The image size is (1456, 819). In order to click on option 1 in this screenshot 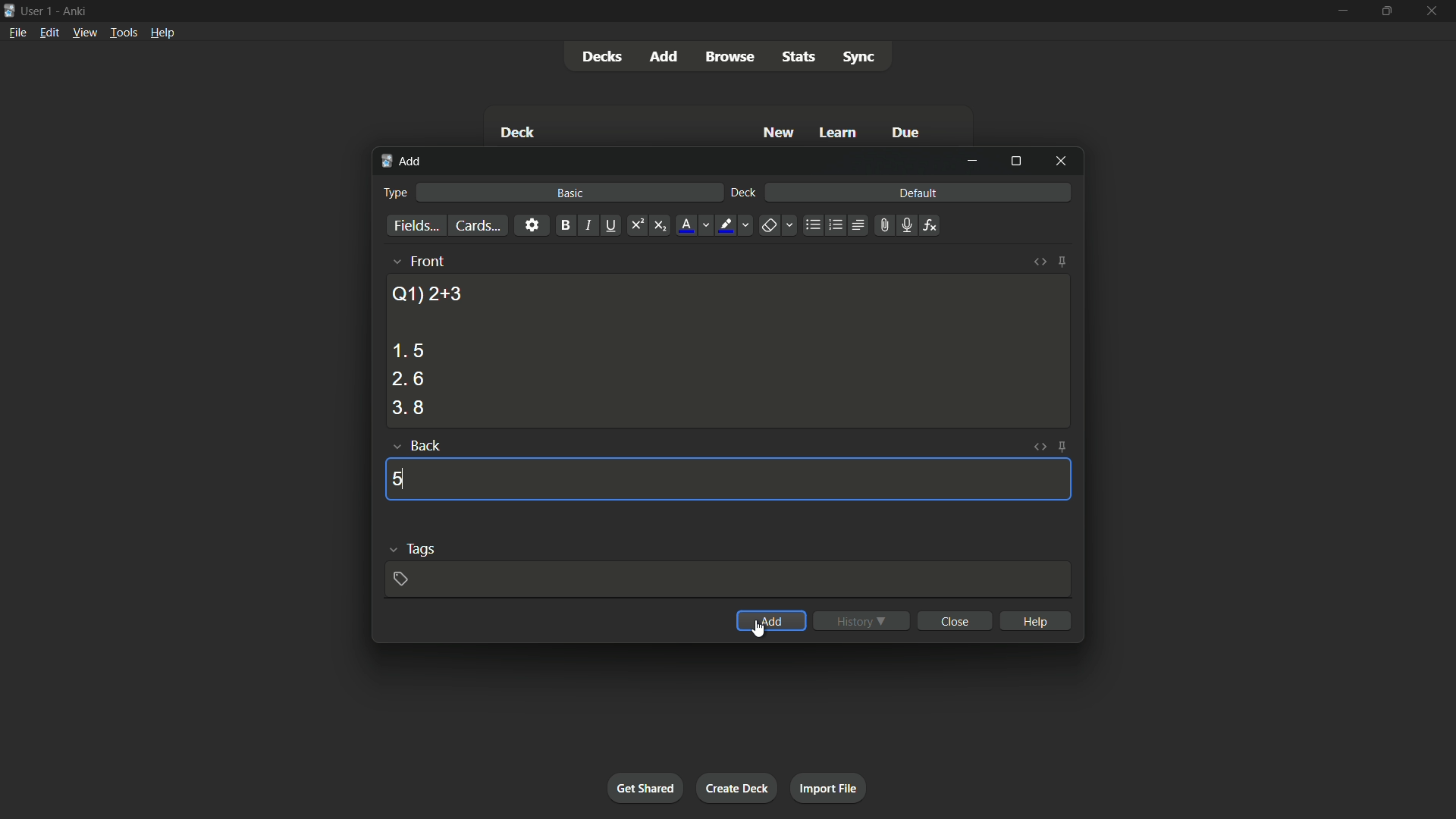, I will do `click(408, 350)`.